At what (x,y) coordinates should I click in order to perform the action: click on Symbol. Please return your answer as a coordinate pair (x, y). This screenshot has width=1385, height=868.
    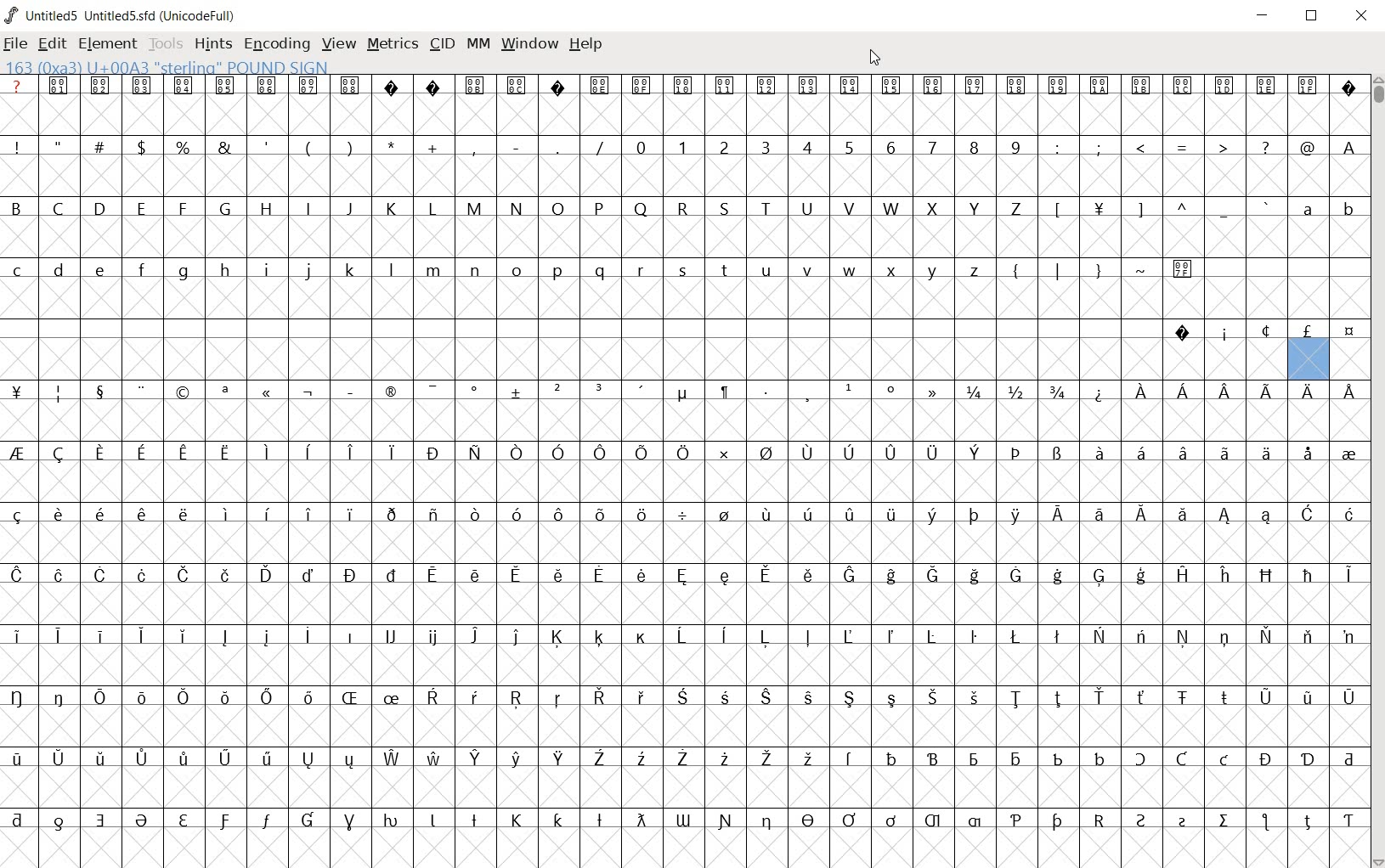
    Looking at the image, I should click on (725, 820).